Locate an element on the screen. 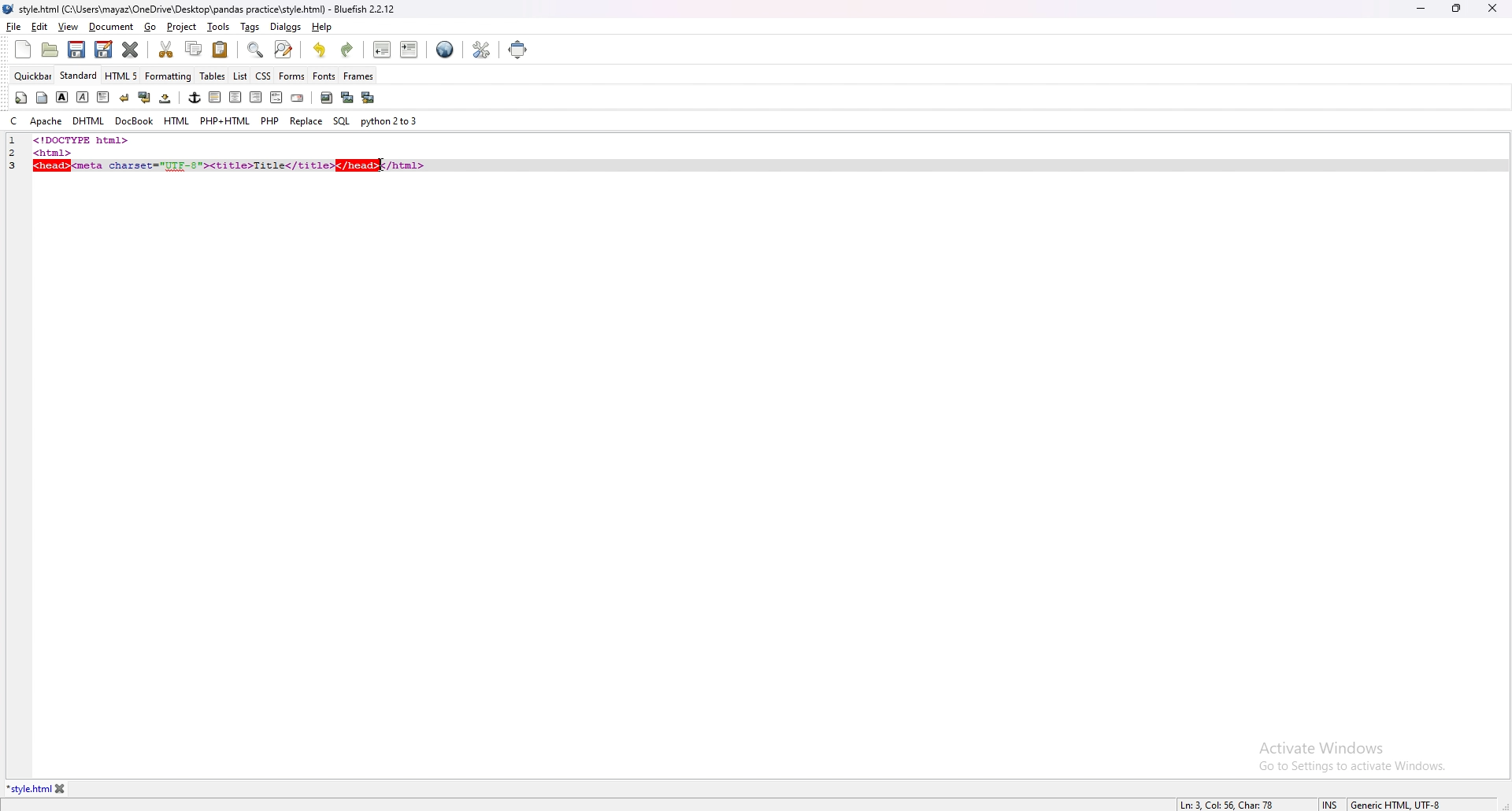 This screenshot has width=1512, height=811. center is located at coordinates (235, 98).